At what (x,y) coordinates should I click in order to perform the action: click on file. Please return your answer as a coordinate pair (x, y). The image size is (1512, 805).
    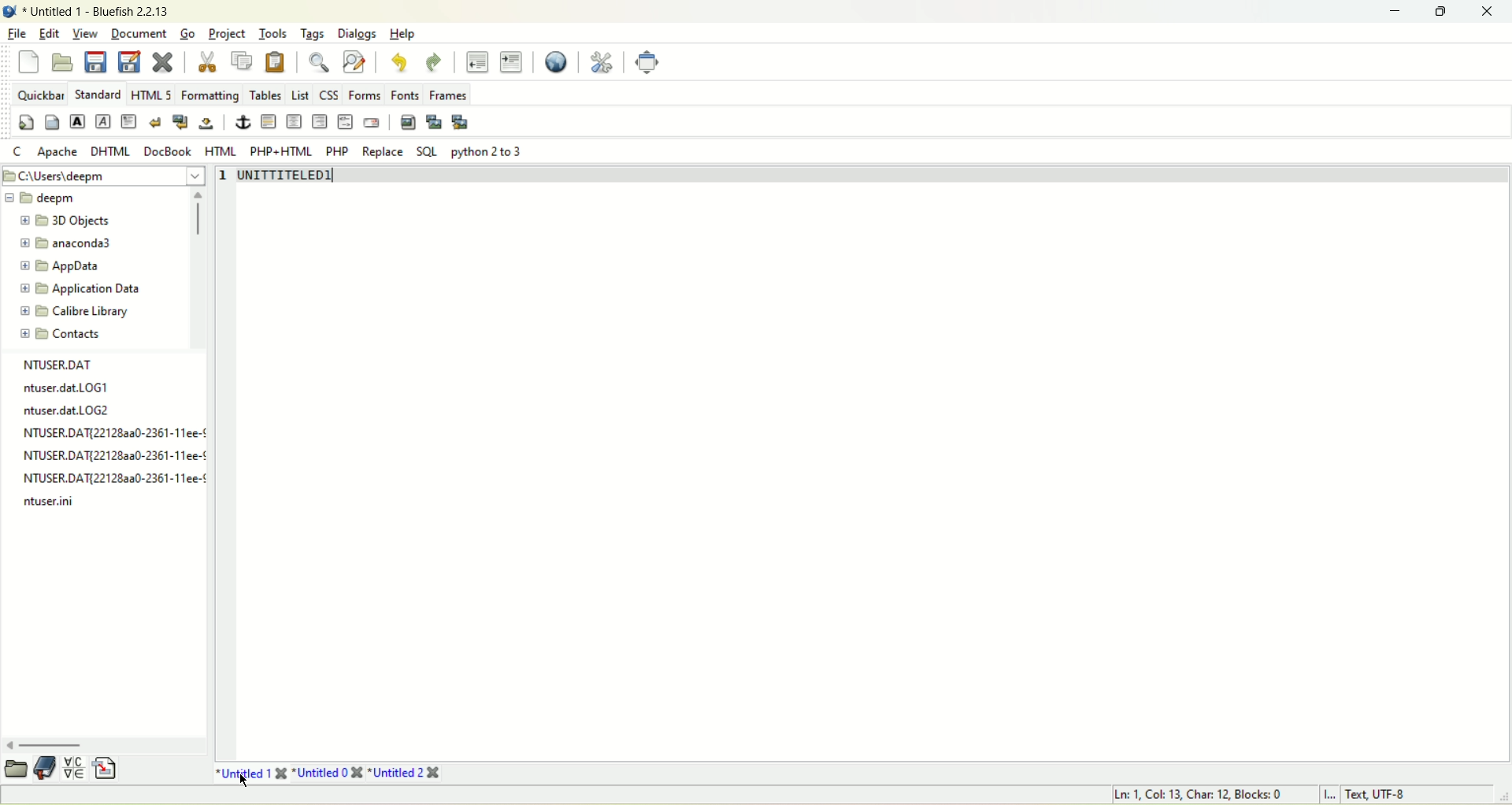
    Looking at the image, I should click on (61, 362).